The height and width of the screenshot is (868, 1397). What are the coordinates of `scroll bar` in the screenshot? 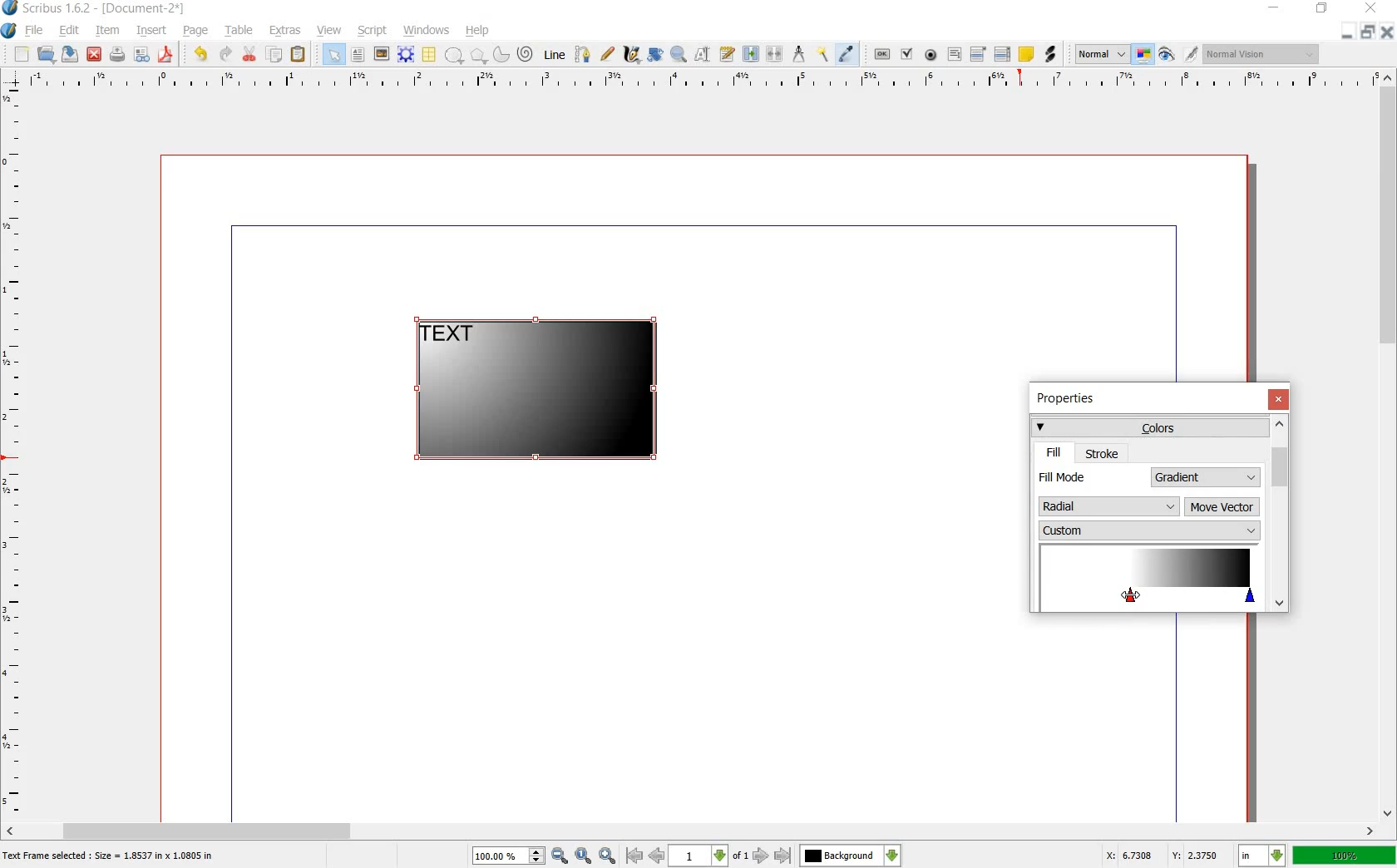 It's located at (1389, 446).